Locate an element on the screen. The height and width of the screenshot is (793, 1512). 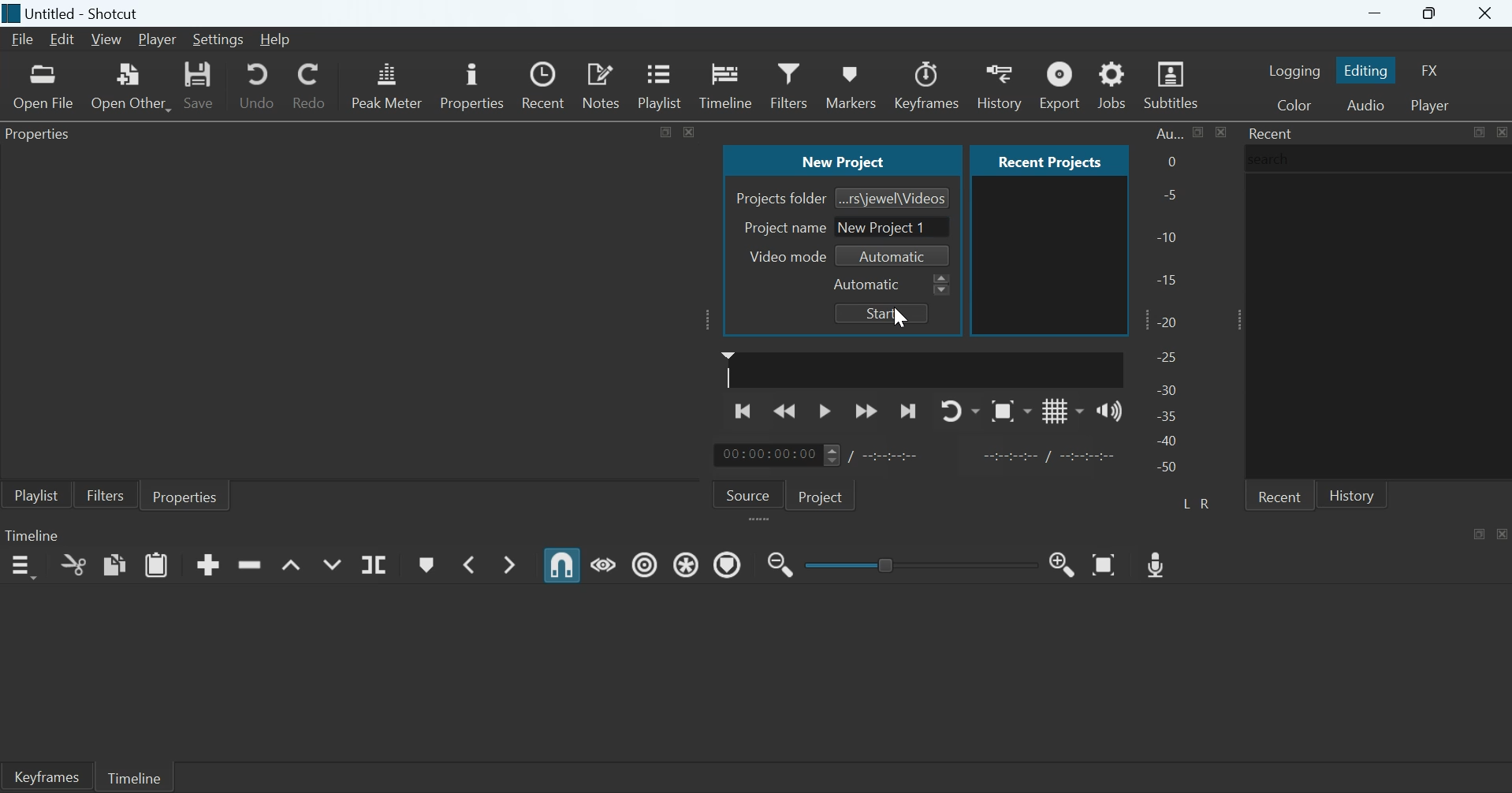
Subtitles is located at coordinates (1173, 85).